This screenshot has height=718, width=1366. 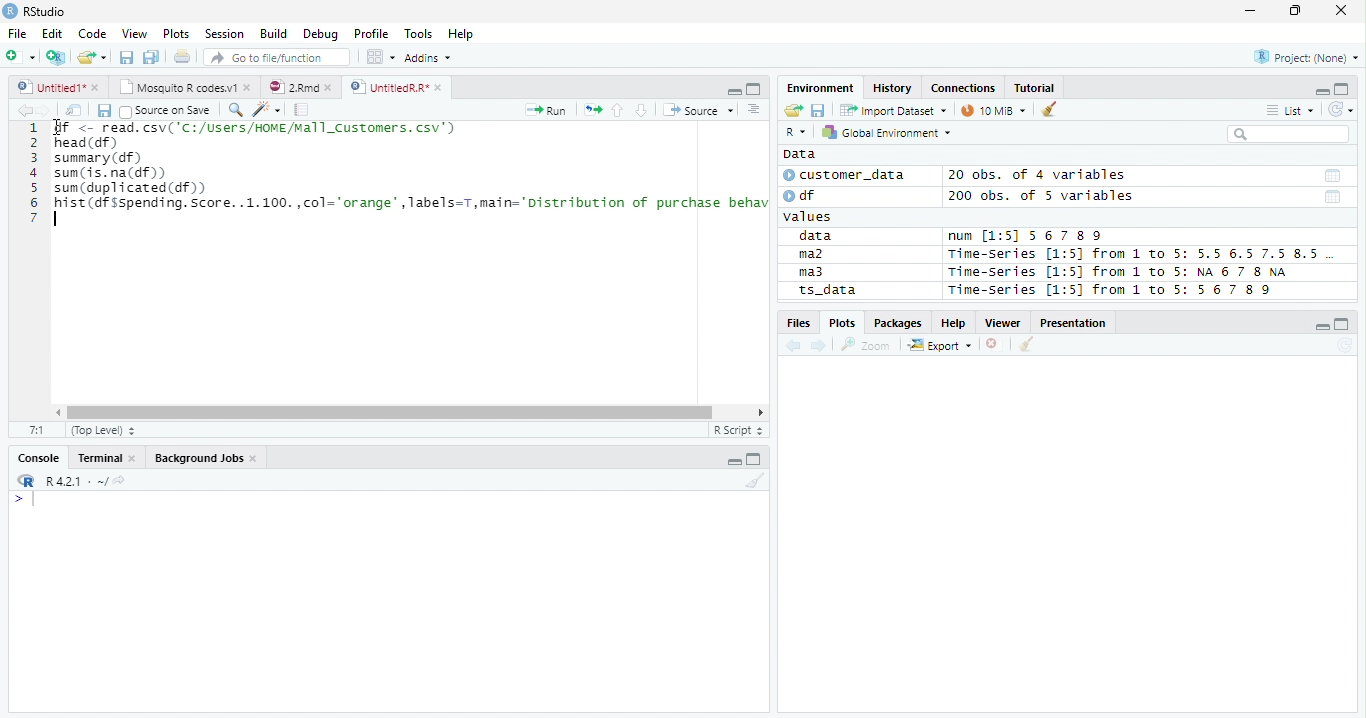 I want to click on Viewer, so click(x=1006, y=323).